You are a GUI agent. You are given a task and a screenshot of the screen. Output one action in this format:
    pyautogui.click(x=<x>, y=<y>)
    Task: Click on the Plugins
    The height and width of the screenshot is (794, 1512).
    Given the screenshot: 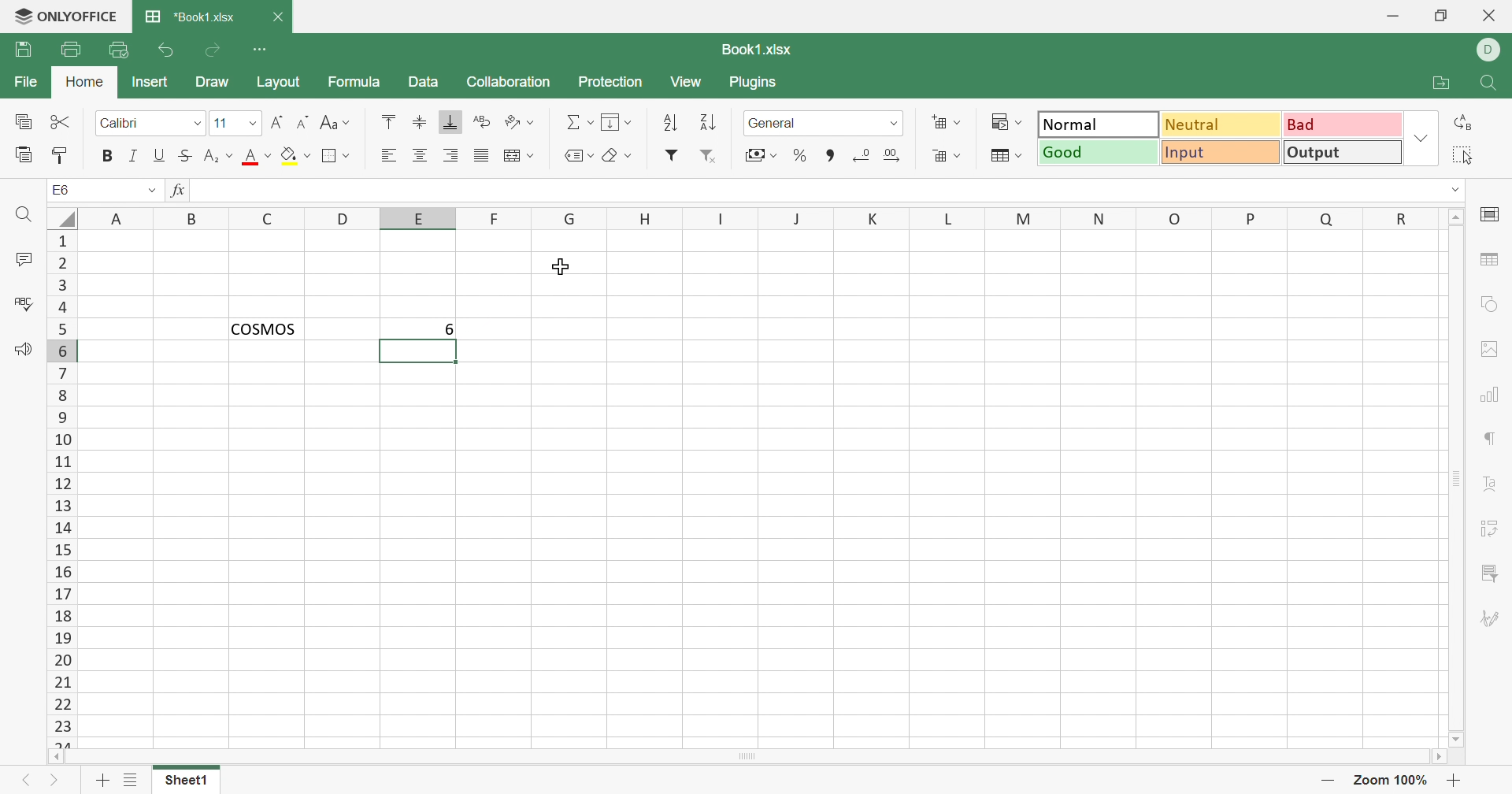 What is the action you would take?
    pyautogui.click(x=754, y=82)
    